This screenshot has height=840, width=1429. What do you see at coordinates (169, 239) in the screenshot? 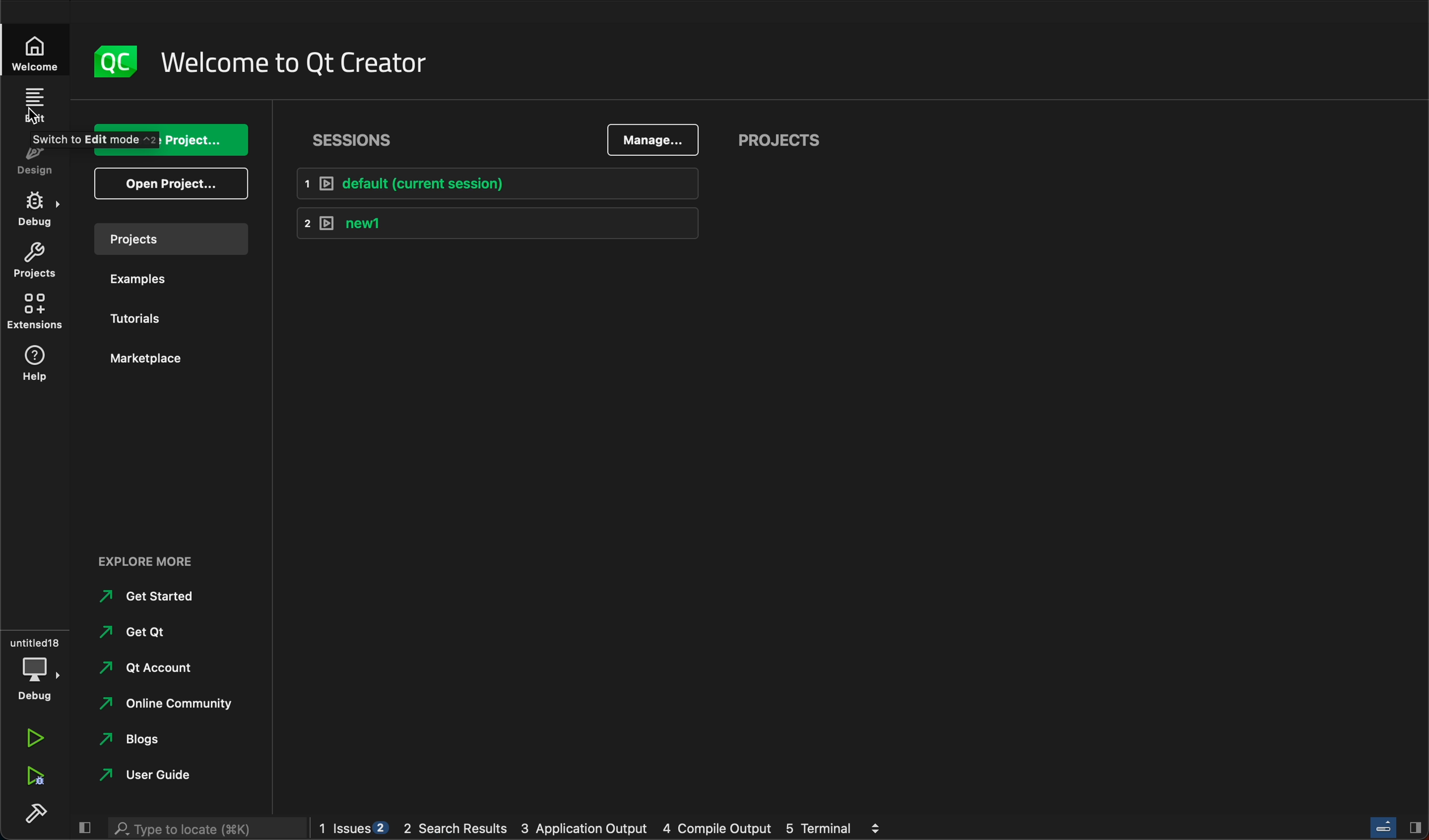
I see `project` at bounding box center [169, 239].